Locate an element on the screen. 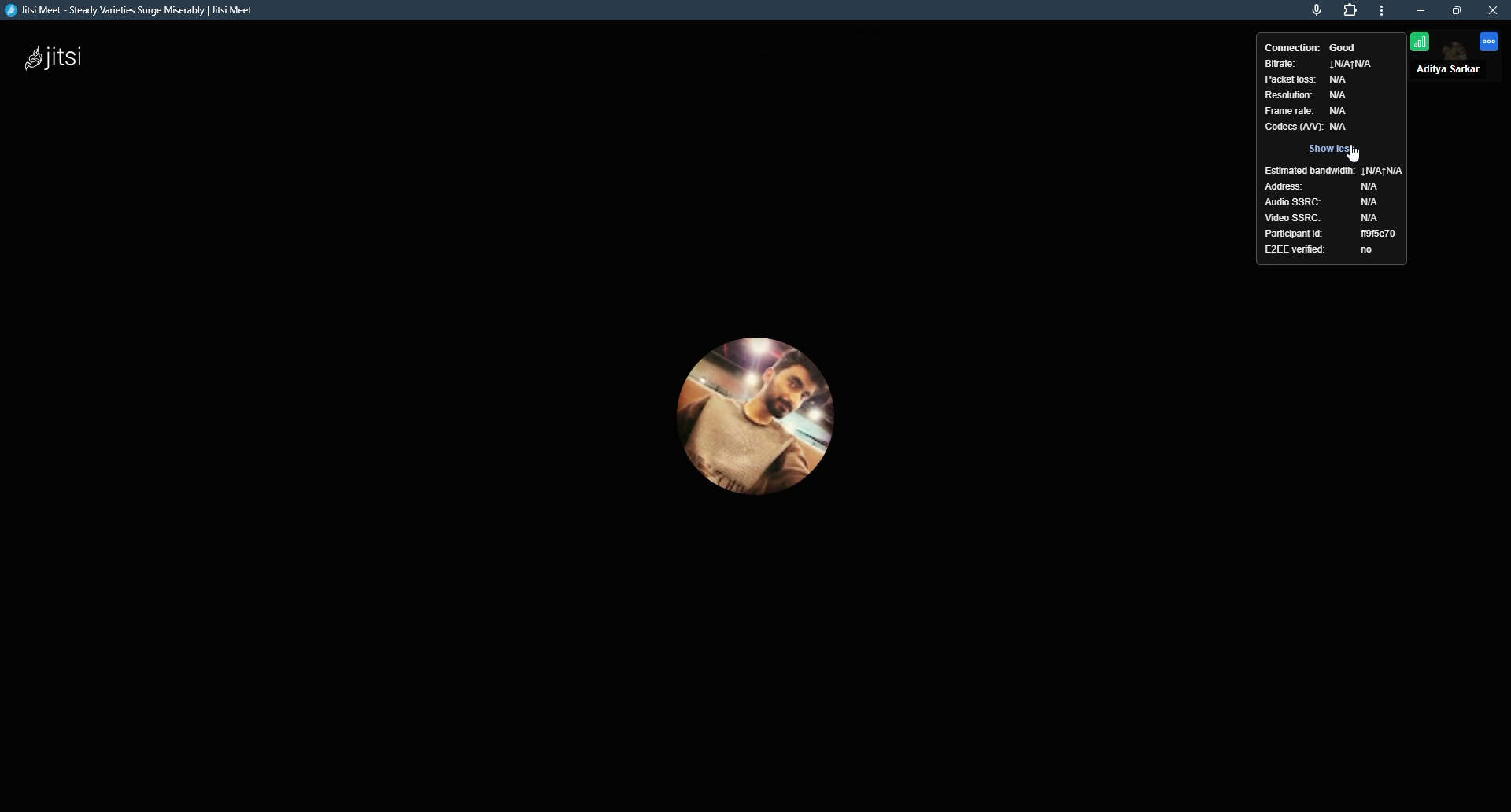  connection is located at coordinates (1420, 42).